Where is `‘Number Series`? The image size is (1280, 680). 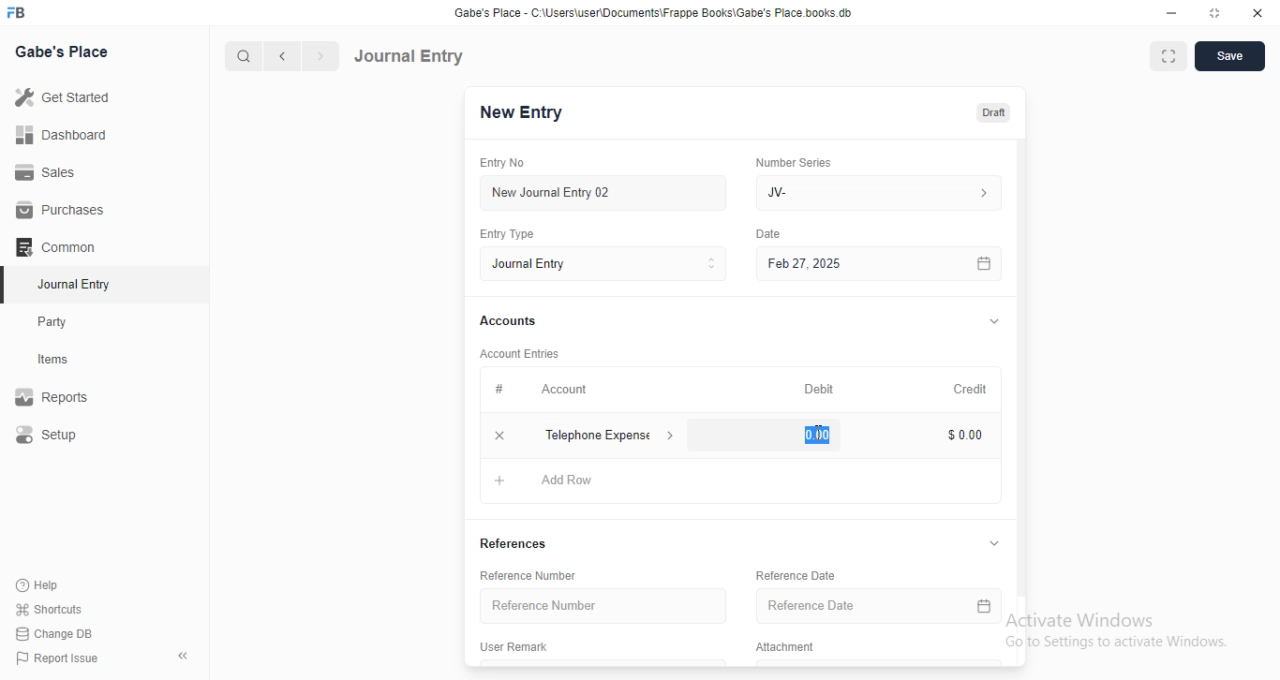 ‘Number Series is located at coordinates (794, 162).